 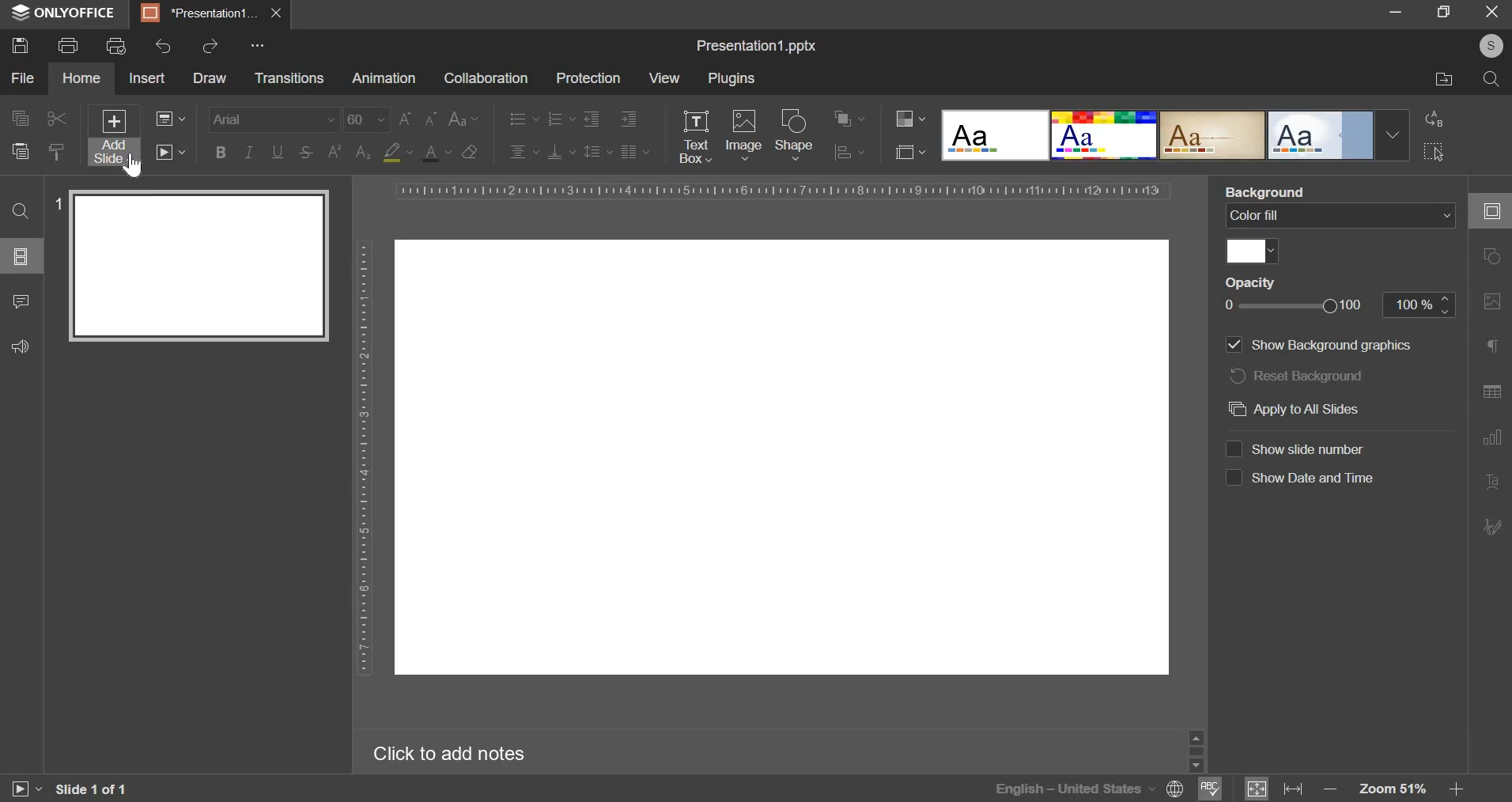 I want to click on show slide number, so click(x=1298, y=447).